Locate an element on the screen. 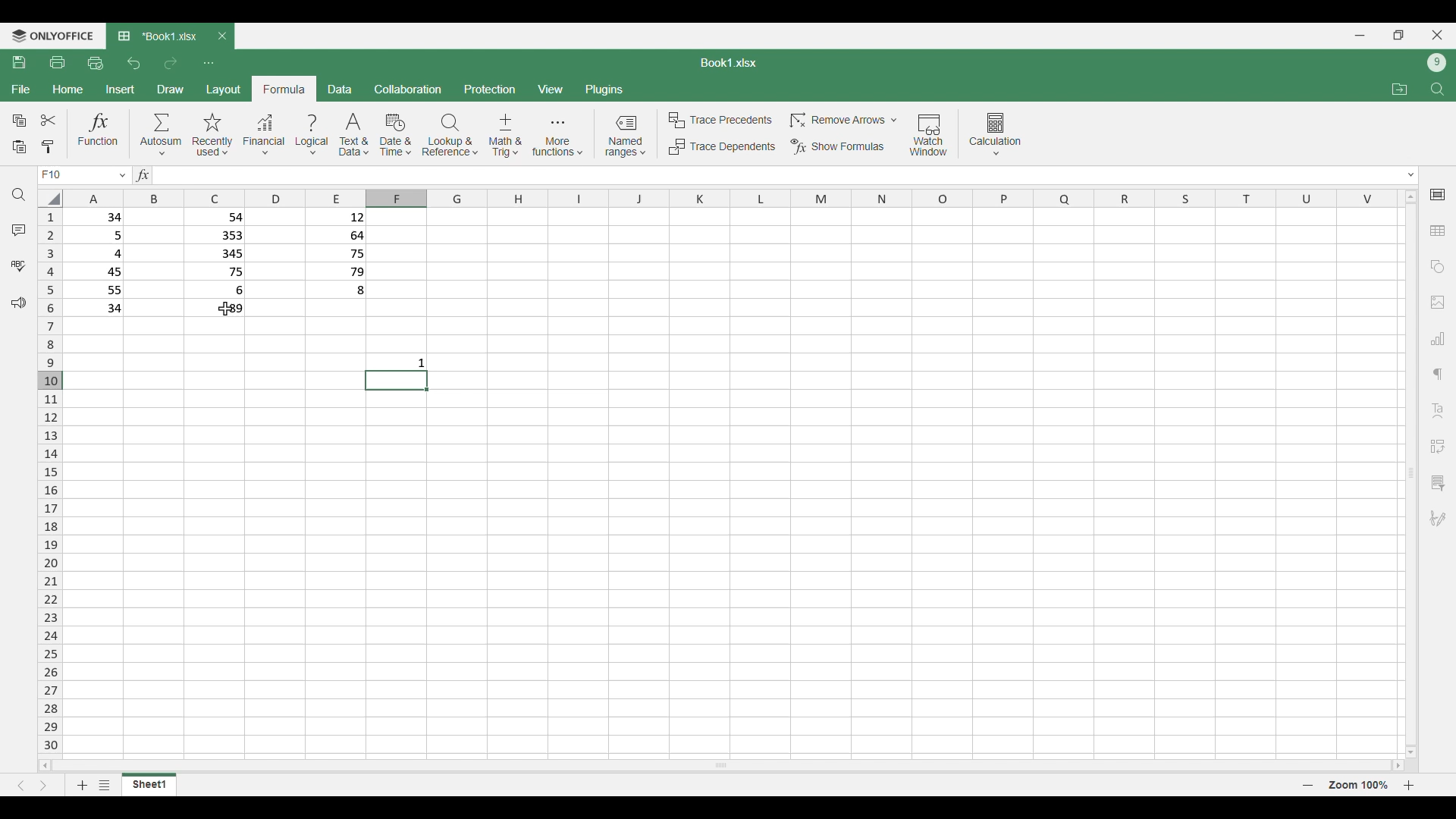 This screenshot has width=1456, height=819. Expand text box is located at coordinates (1412, 175).